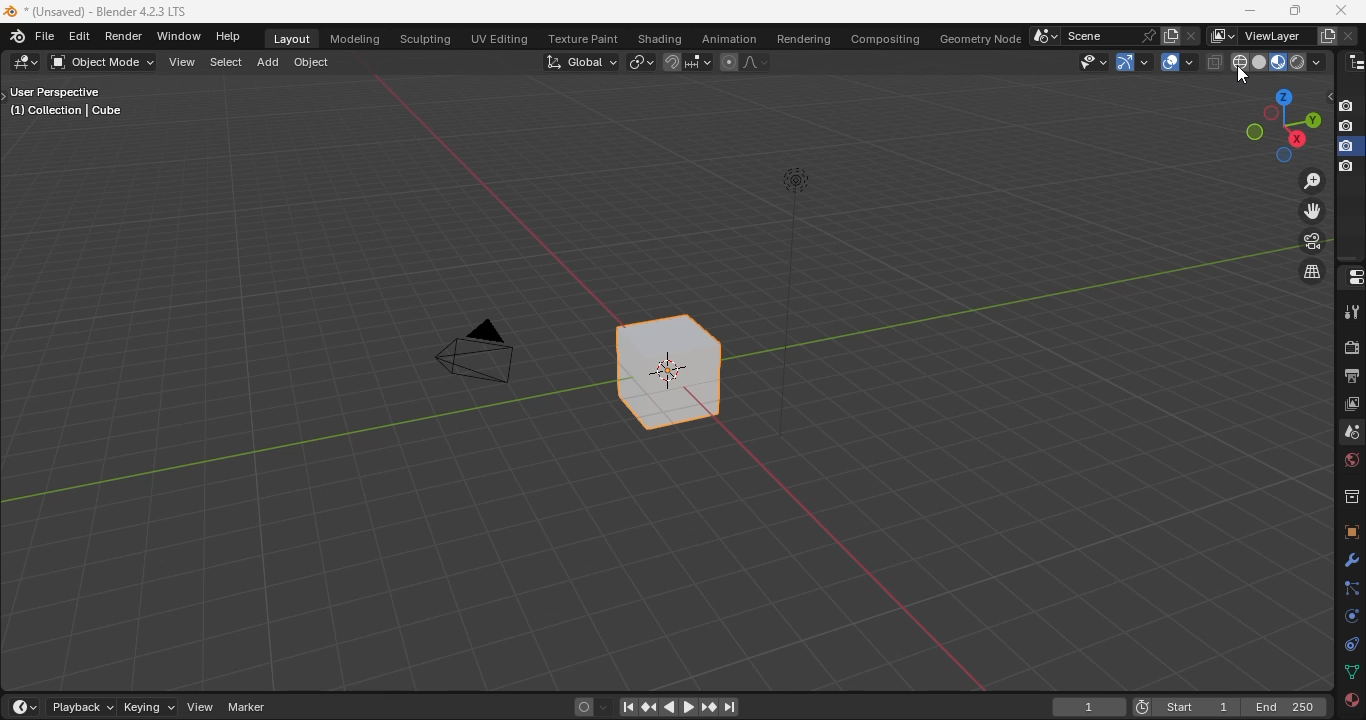 This screenshot has height=720, width=1366. Describe the element at coordinates (180, 36) in the screenshot. I see `window` at that location.